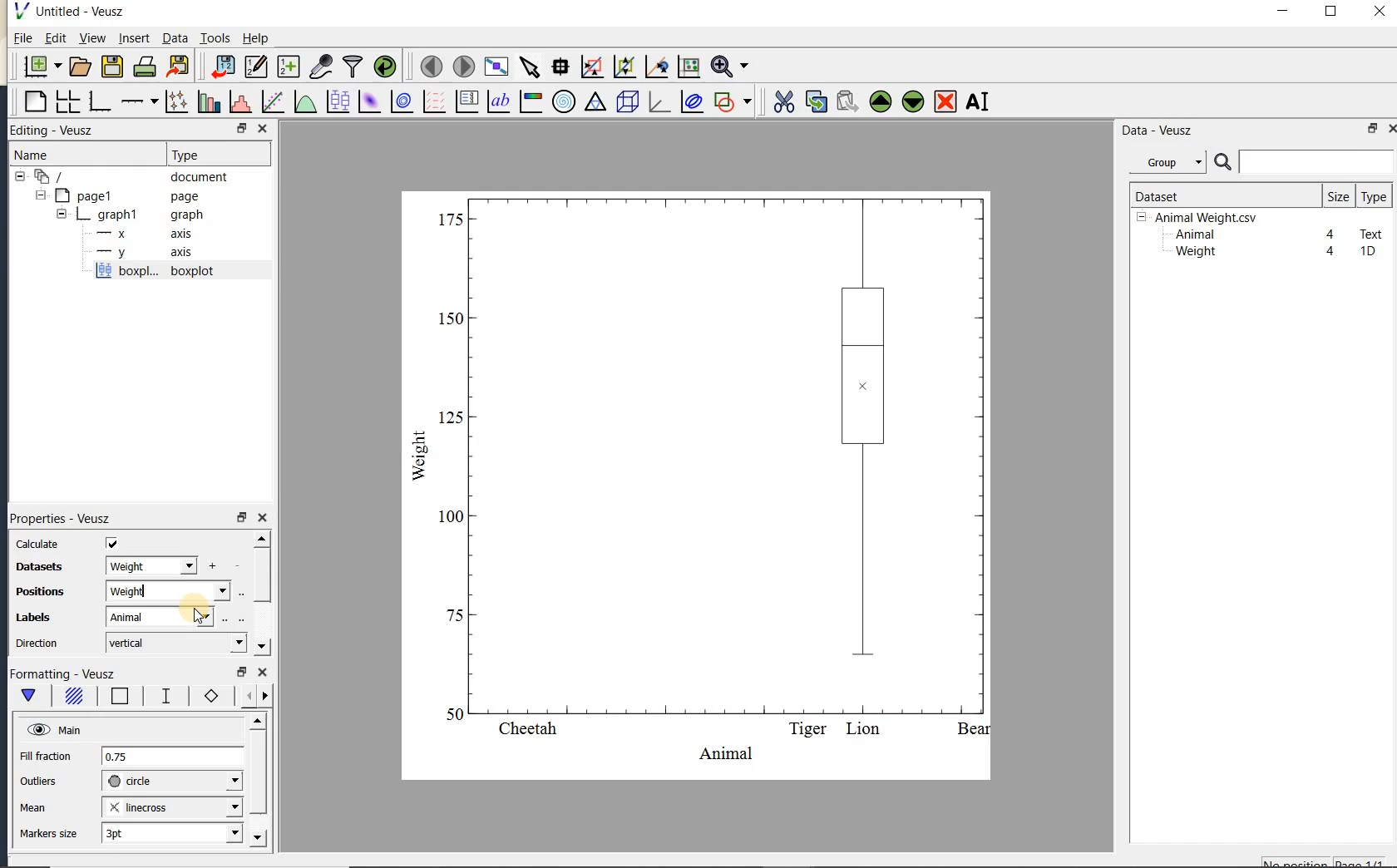  I want to click on box plot, so click(698, 484).